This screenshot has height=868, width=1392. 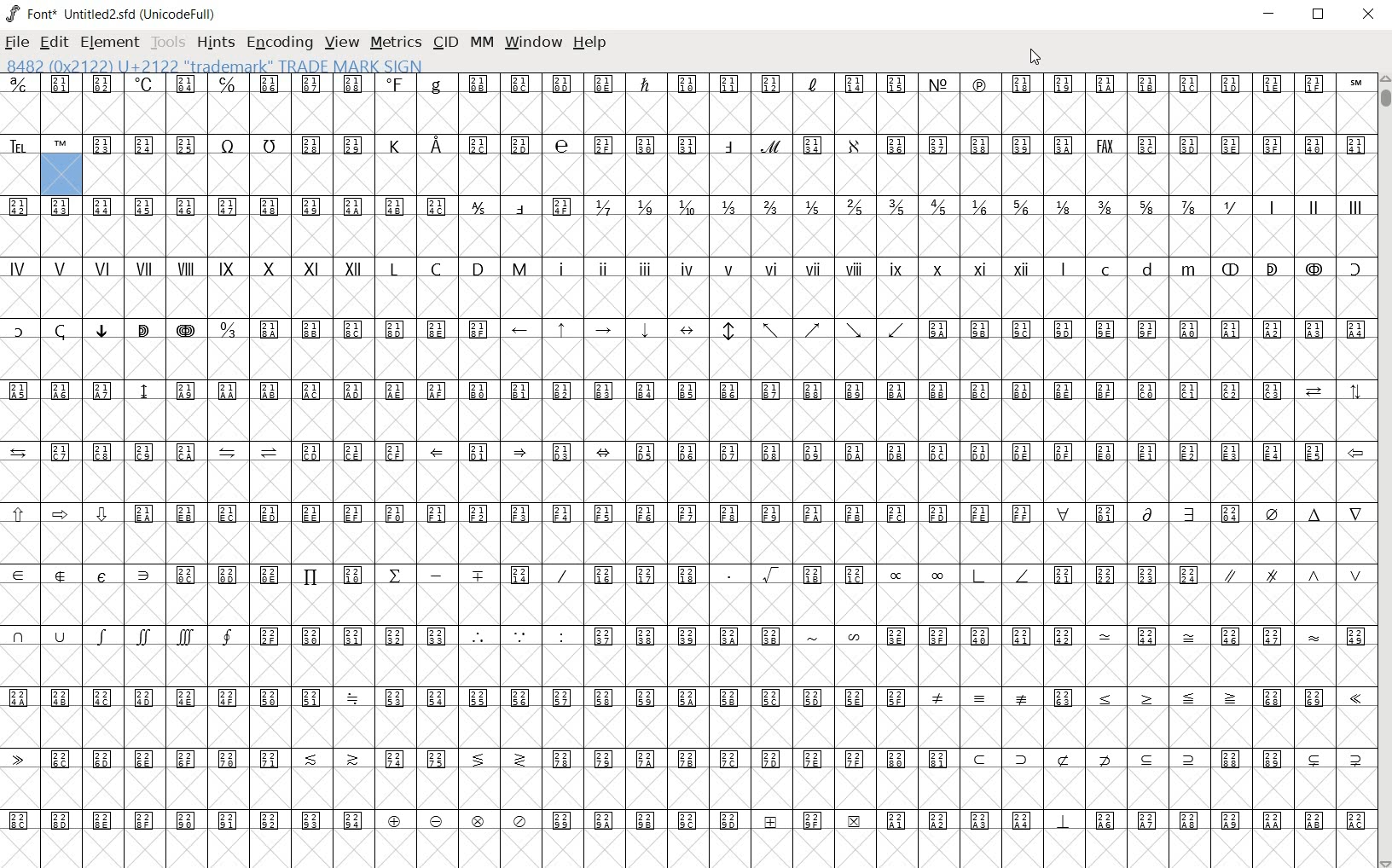 What do you see at coordinates (1269, 13) in the screenshot?
I see `MINIMIZE` at bounding box center [1269, 13].